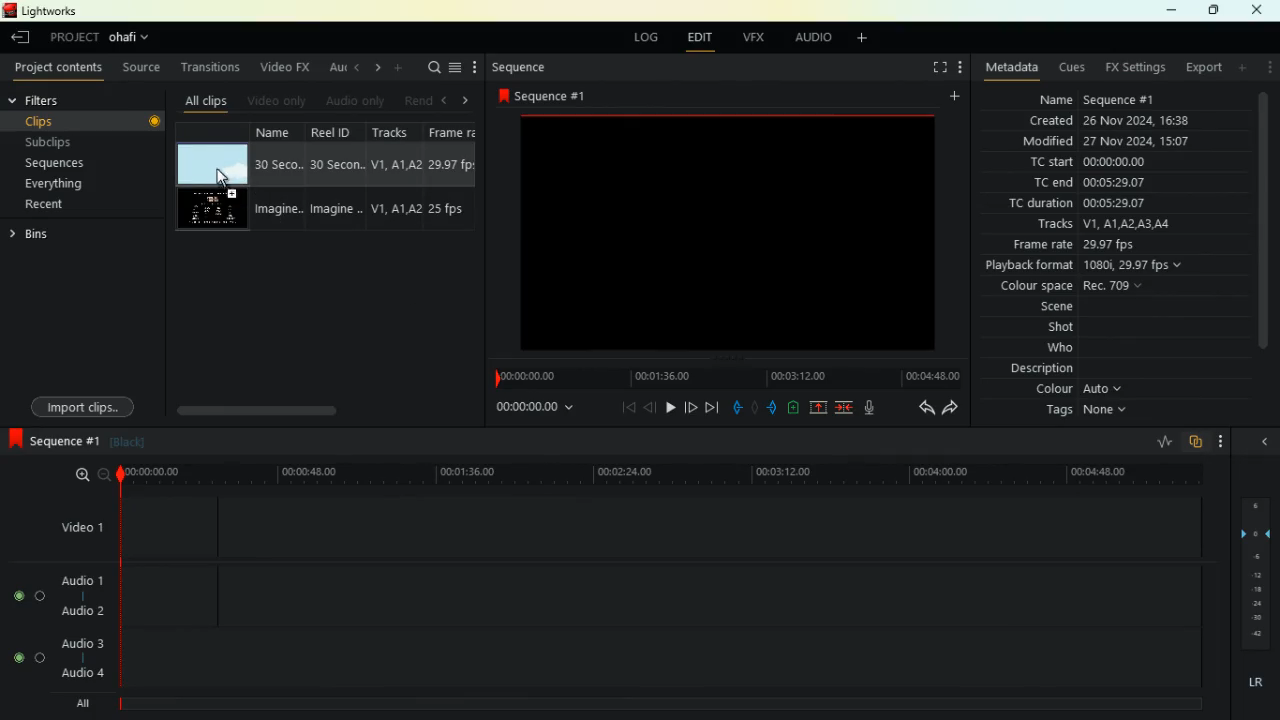 The image size is (1280, 720). I want to click on everything, so click(62, 184).